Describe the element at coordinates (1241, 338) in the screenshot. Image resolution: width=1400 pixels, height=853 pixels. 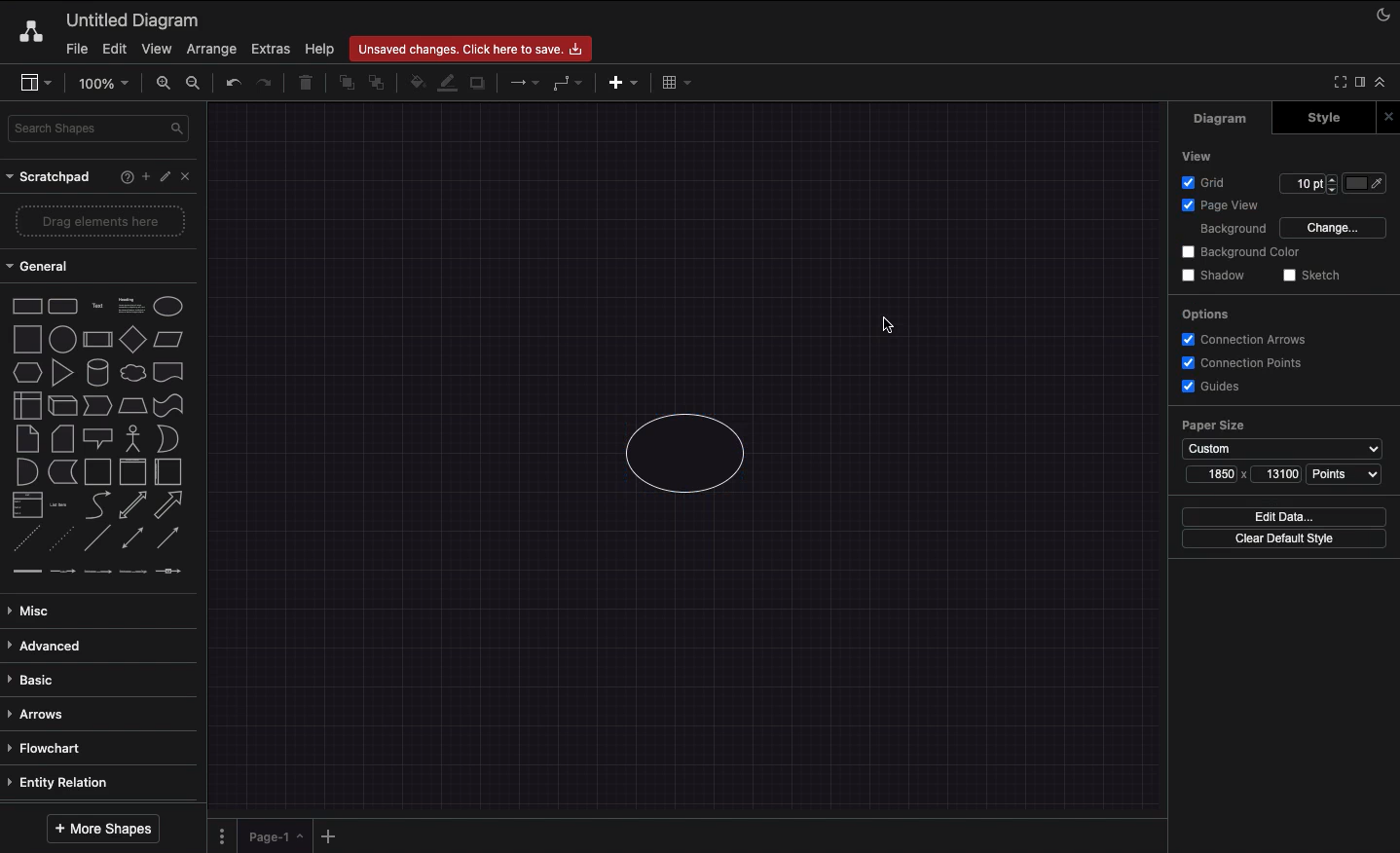
I see `Correction arrows` at that location.